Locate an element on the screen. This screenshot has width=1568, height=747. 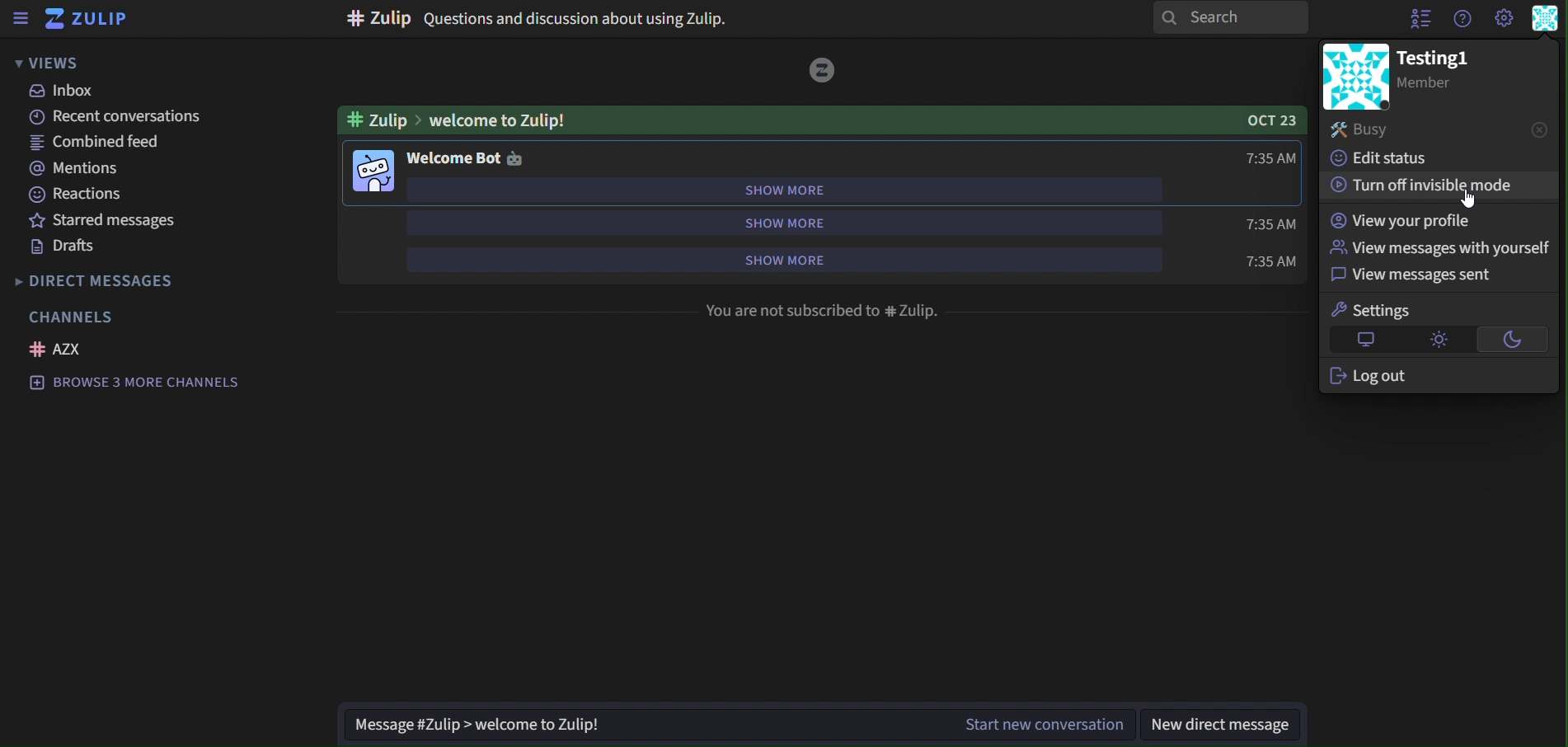
image is located at coordinates (1357, 76).